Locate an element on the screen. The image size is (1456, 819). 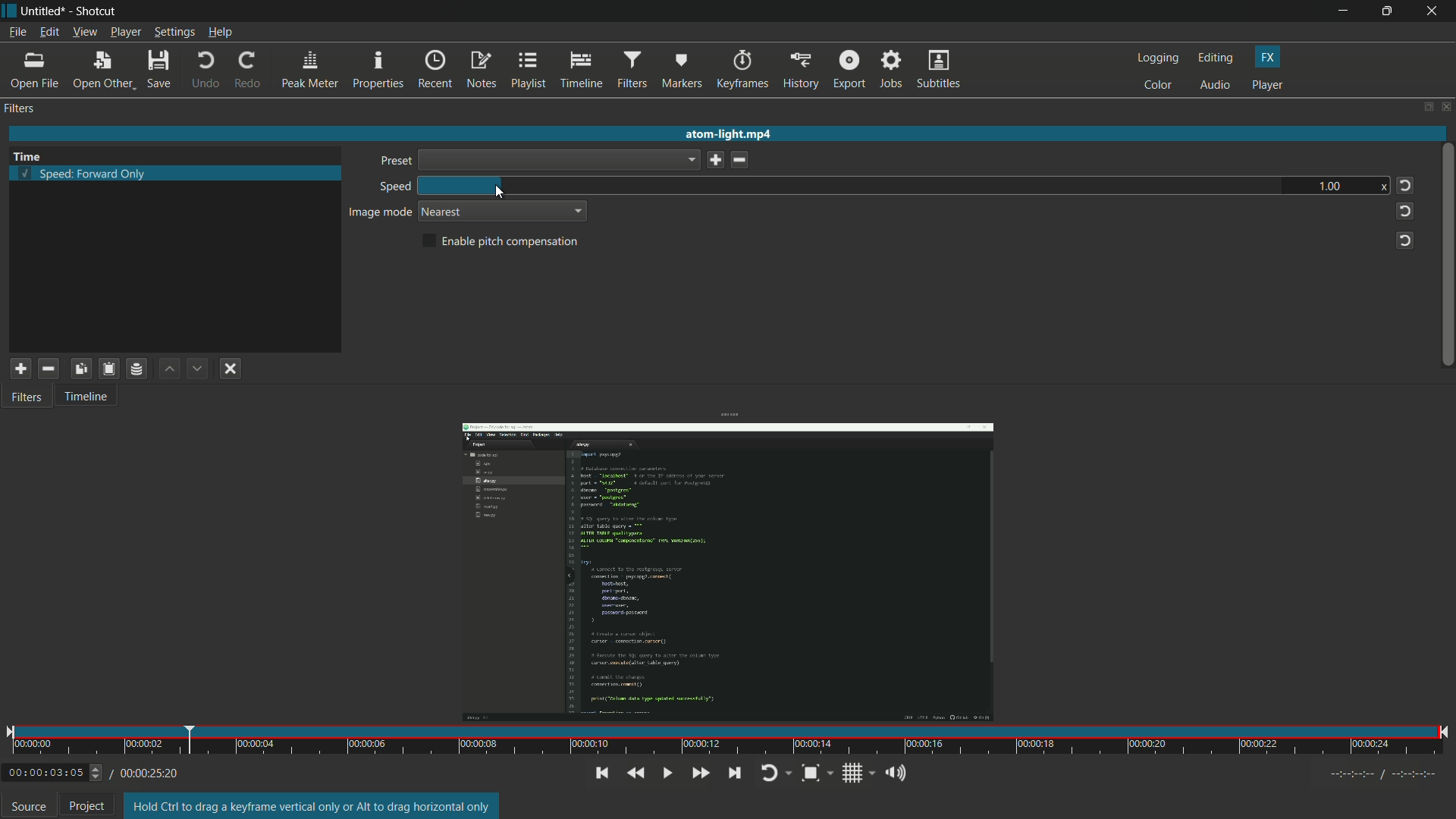
peak meter is located at coordinates (308, 71).